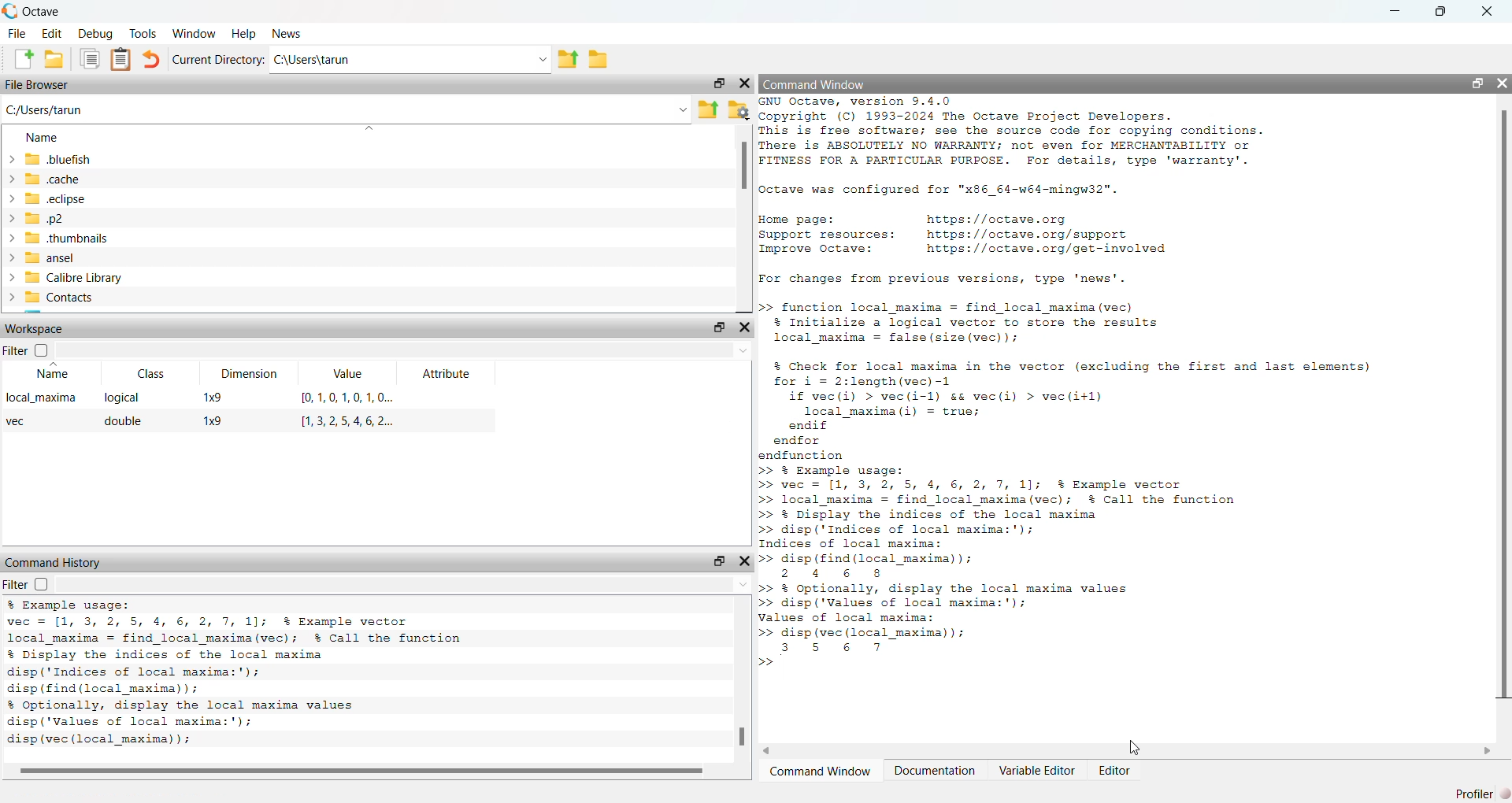 The image size is (1512, 803). I want to click on 1x9, so click(213, 420).